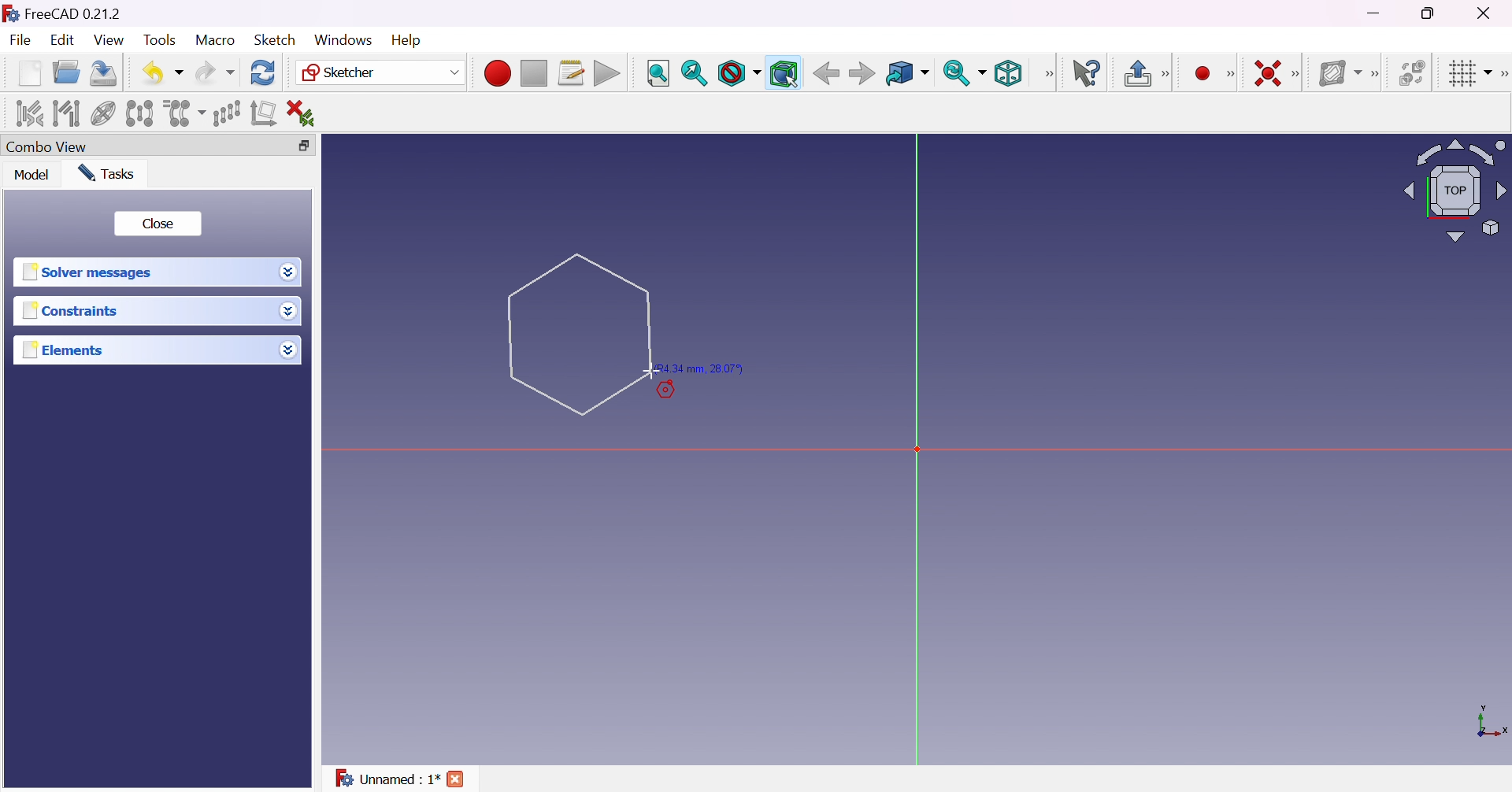 The image size is (1512, 792). I want to click on Rectangular array, so click(227, 113).